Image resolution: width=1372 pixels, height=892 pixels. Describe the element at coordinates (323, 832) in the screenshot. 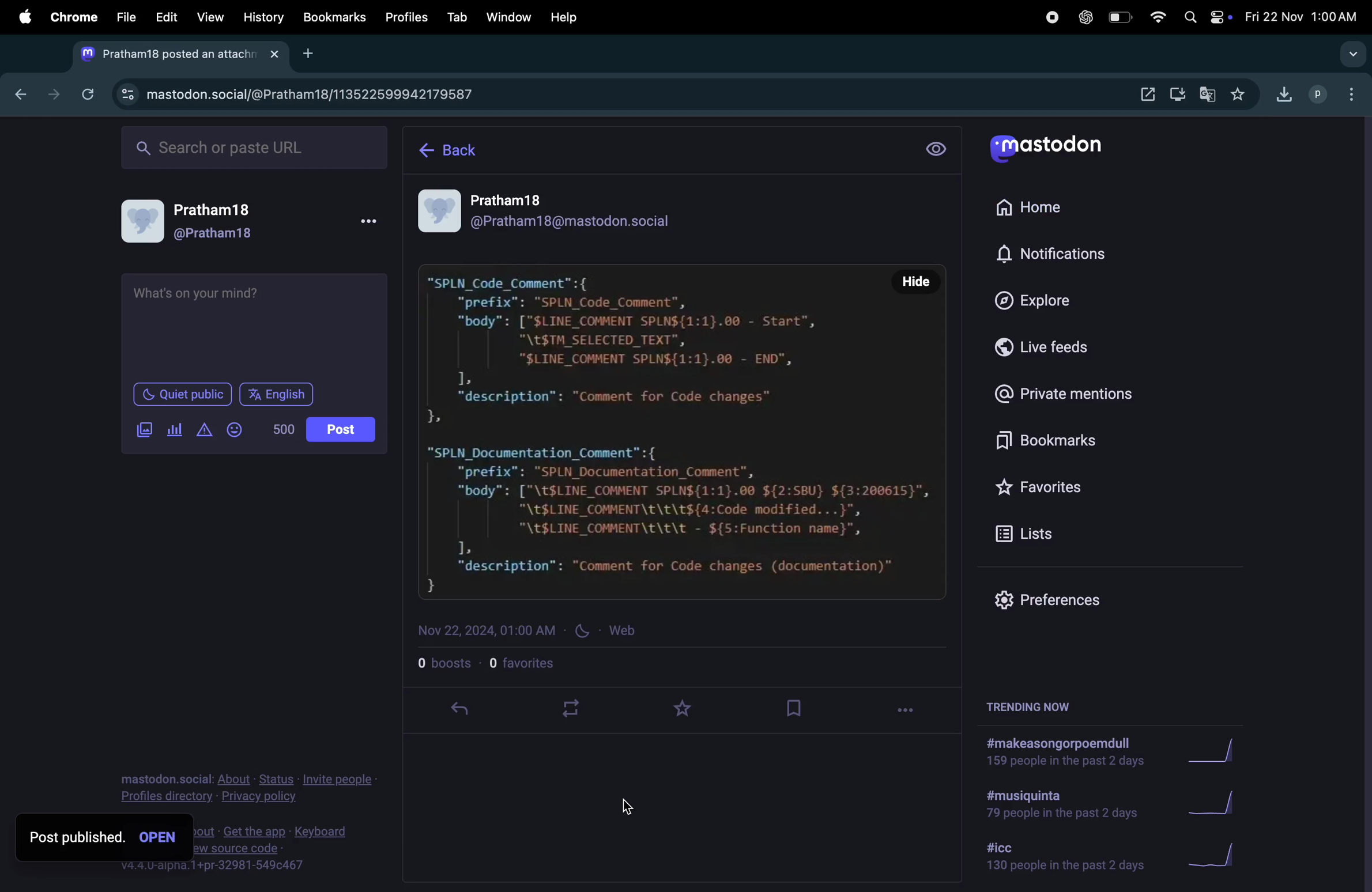

I see `keyboard` at that location.